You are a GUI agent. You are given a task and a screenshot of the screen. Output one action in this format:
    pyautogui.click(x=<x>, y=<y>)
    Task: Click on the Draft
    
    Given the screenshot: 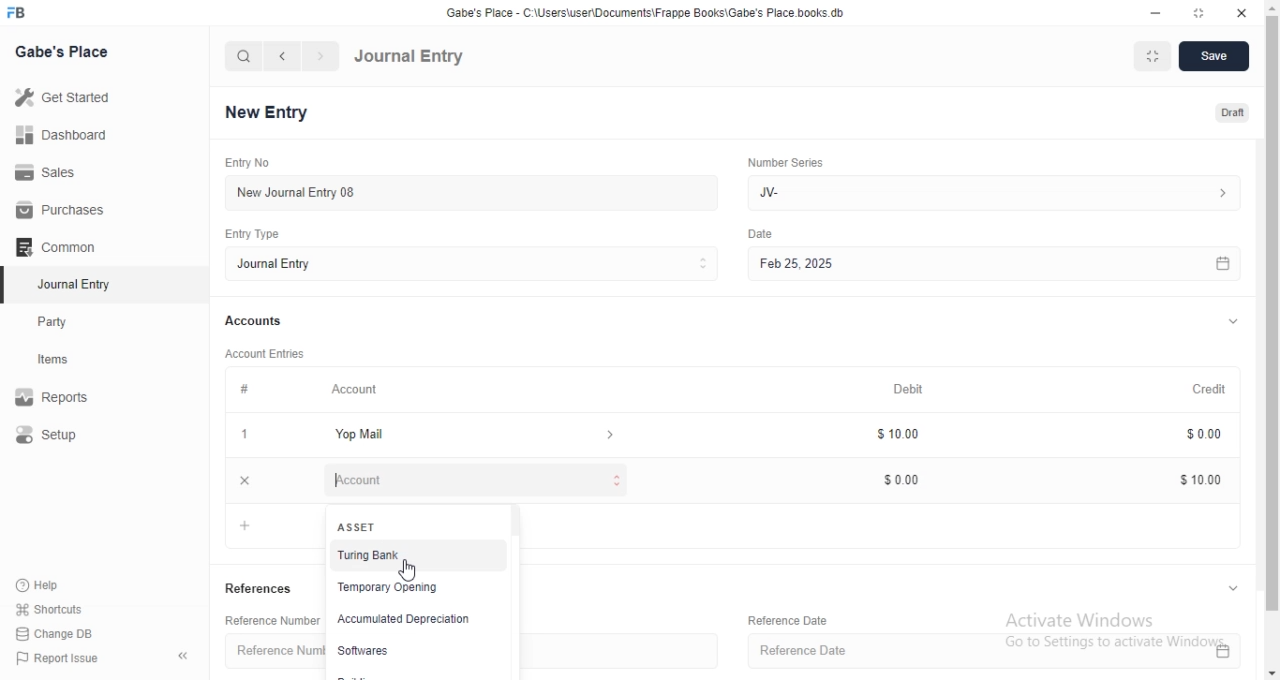 What is the action you would take?
    pyautogui.click(x=1233, y=111)
    